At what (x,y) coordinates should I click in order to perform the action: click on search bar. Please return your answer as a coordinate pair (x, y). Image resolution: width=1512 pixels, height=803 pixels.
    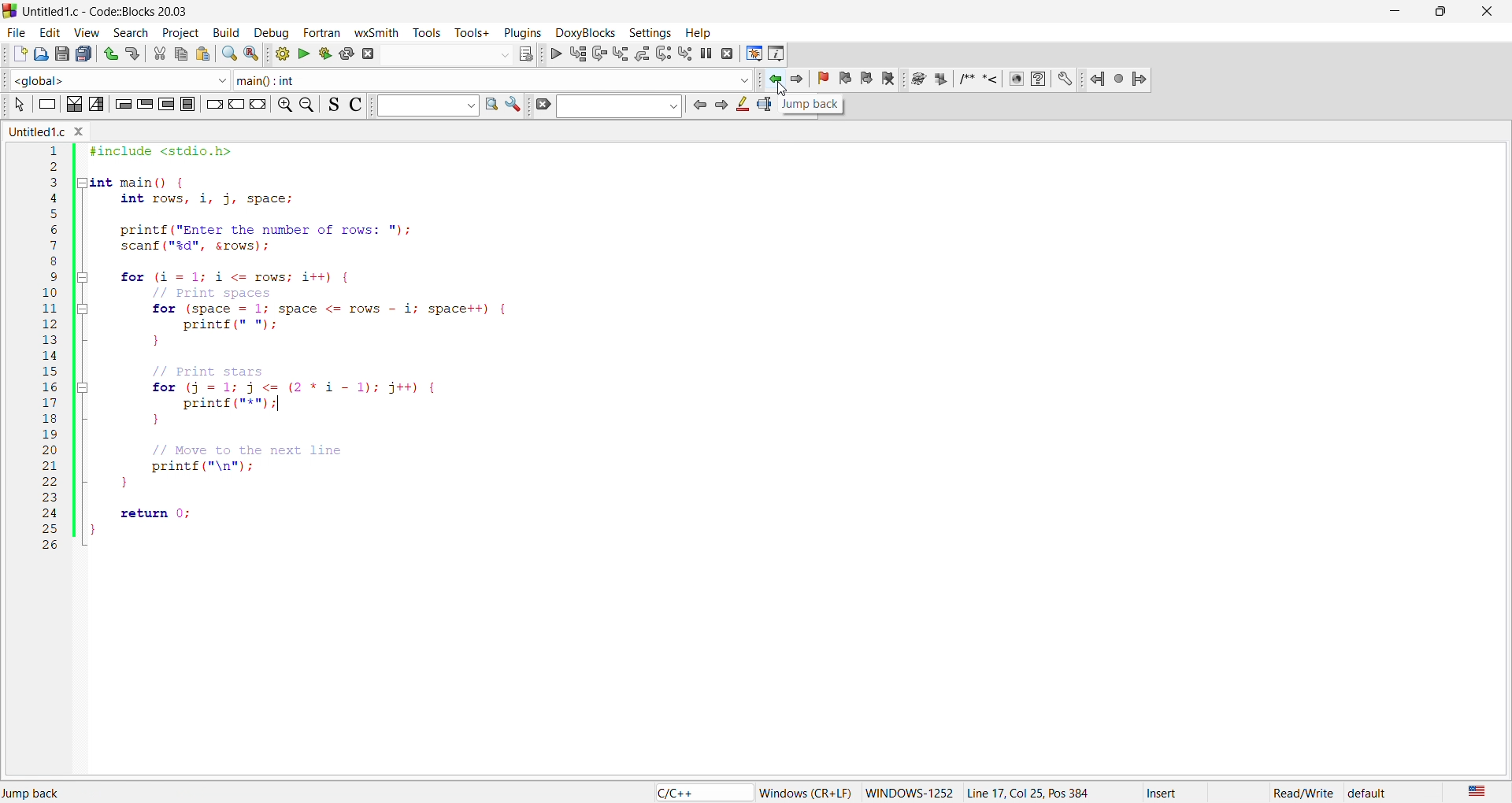
    Looking at the image, I should click on (451, 54).